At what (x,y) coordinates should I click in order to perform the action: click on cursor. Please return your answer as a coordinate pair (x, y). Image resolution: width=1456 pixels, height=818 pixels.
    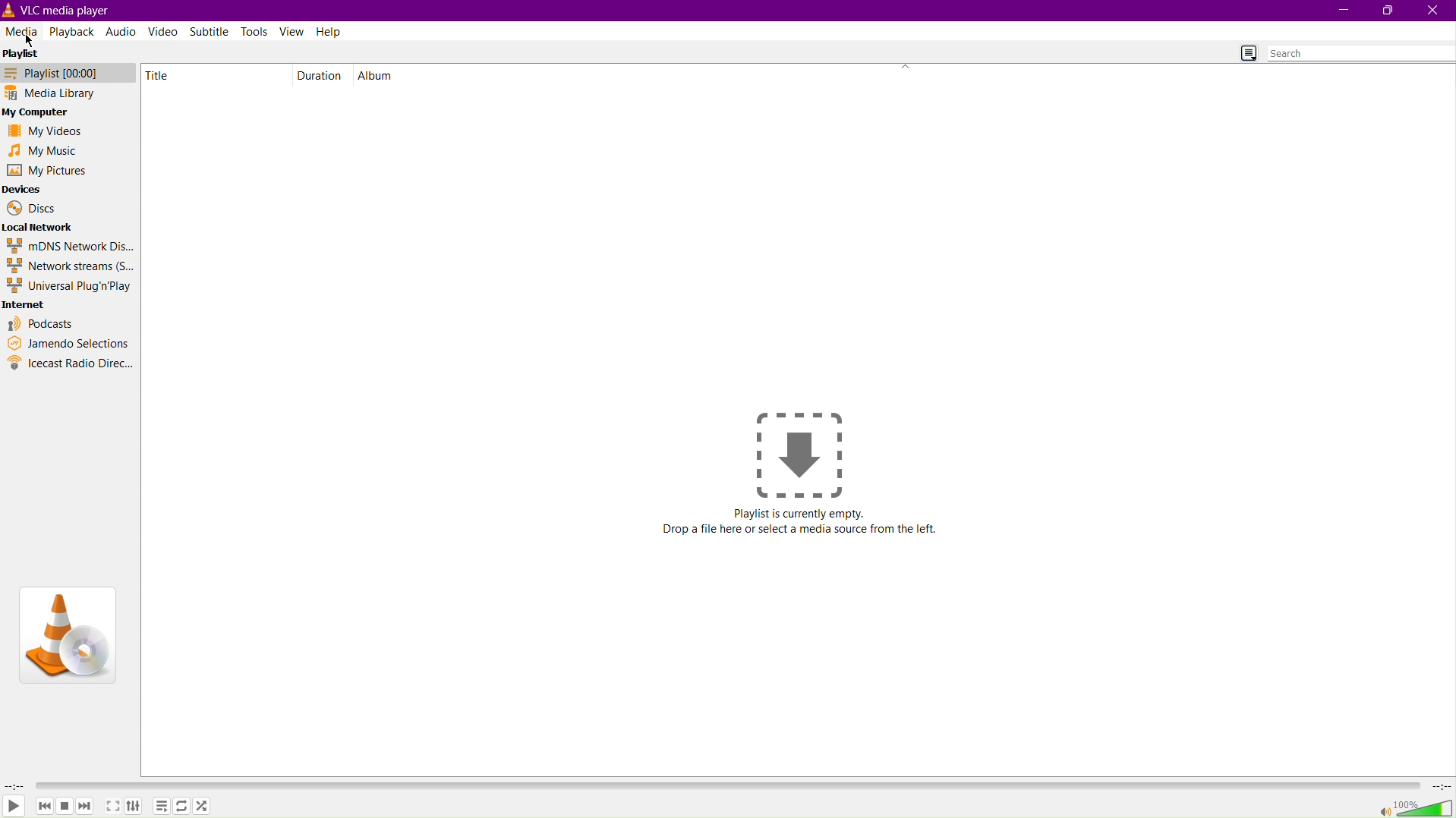
    Looking at the image, I should click on (32, 42).